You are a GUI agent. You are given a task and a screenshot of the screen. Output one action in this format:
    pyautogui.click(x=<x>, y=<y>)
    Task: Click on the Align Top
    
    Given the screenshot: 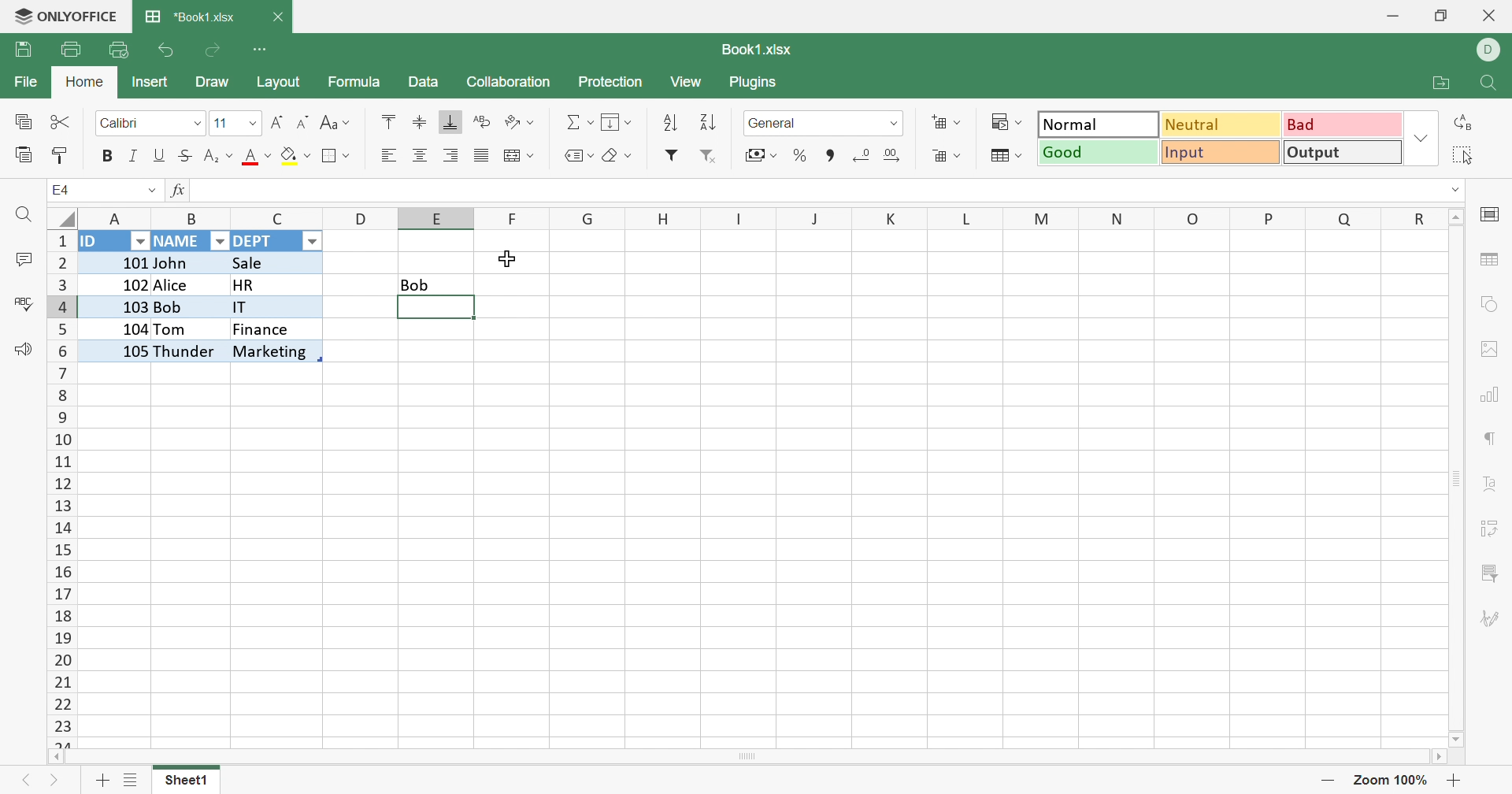 What is the action you would take?
    pyautogui.click(x=391, y=121)
    